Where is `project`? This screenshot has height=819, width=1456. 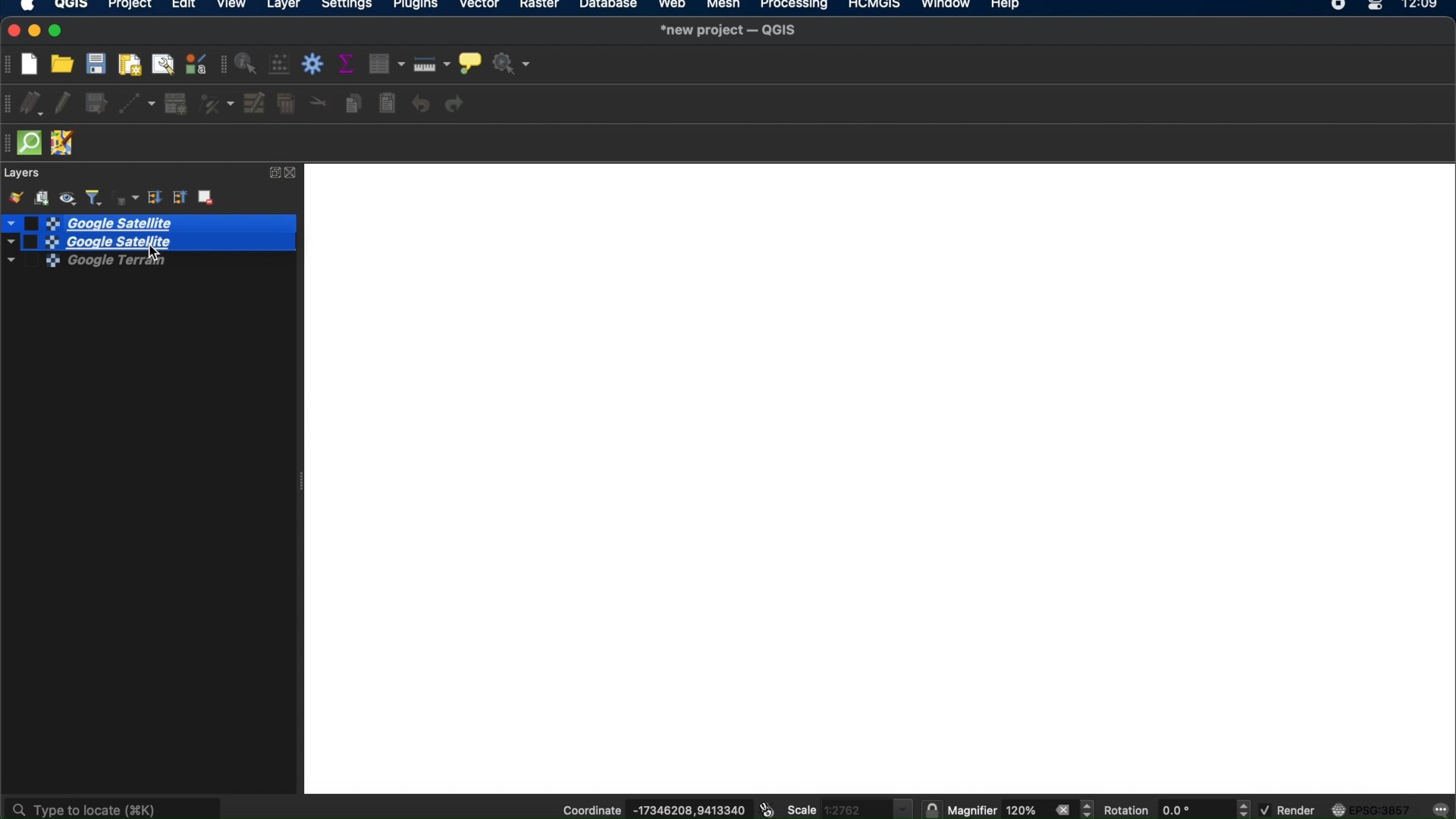
project is located at coordinates (129, 6).